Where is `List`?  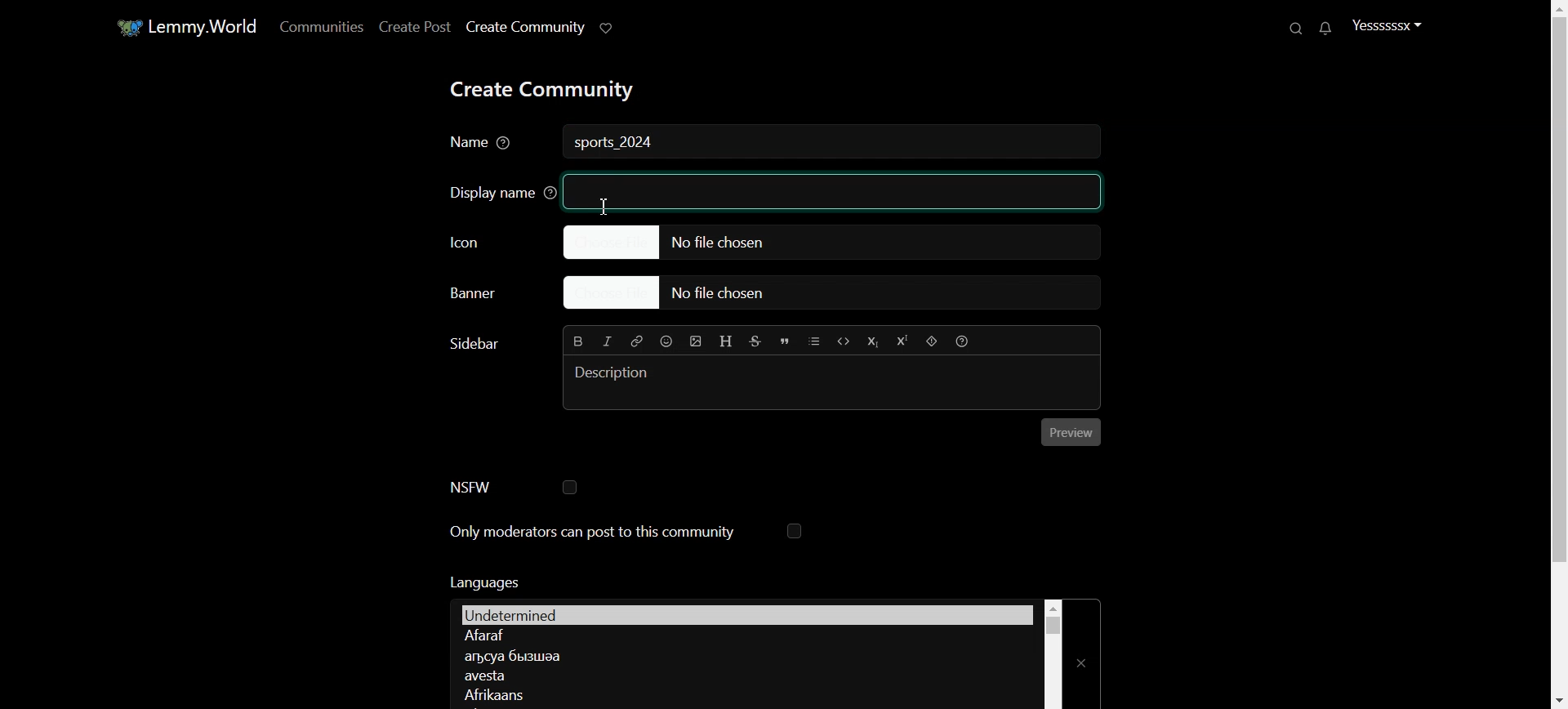 List is located at coordinates (814, 341).